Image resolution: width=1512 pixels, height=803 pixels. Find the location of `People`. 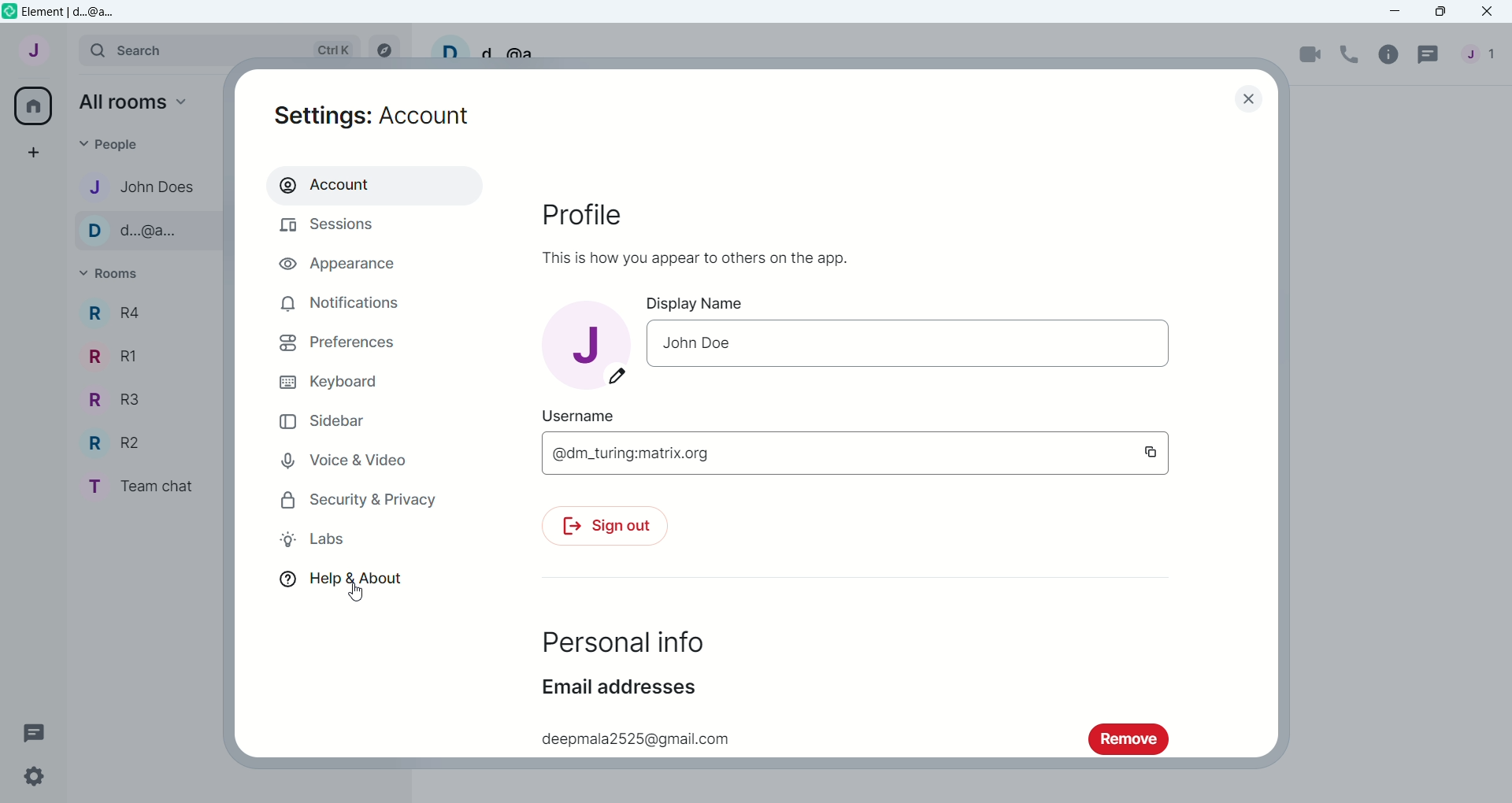

People is located at coordinates (138, 142).